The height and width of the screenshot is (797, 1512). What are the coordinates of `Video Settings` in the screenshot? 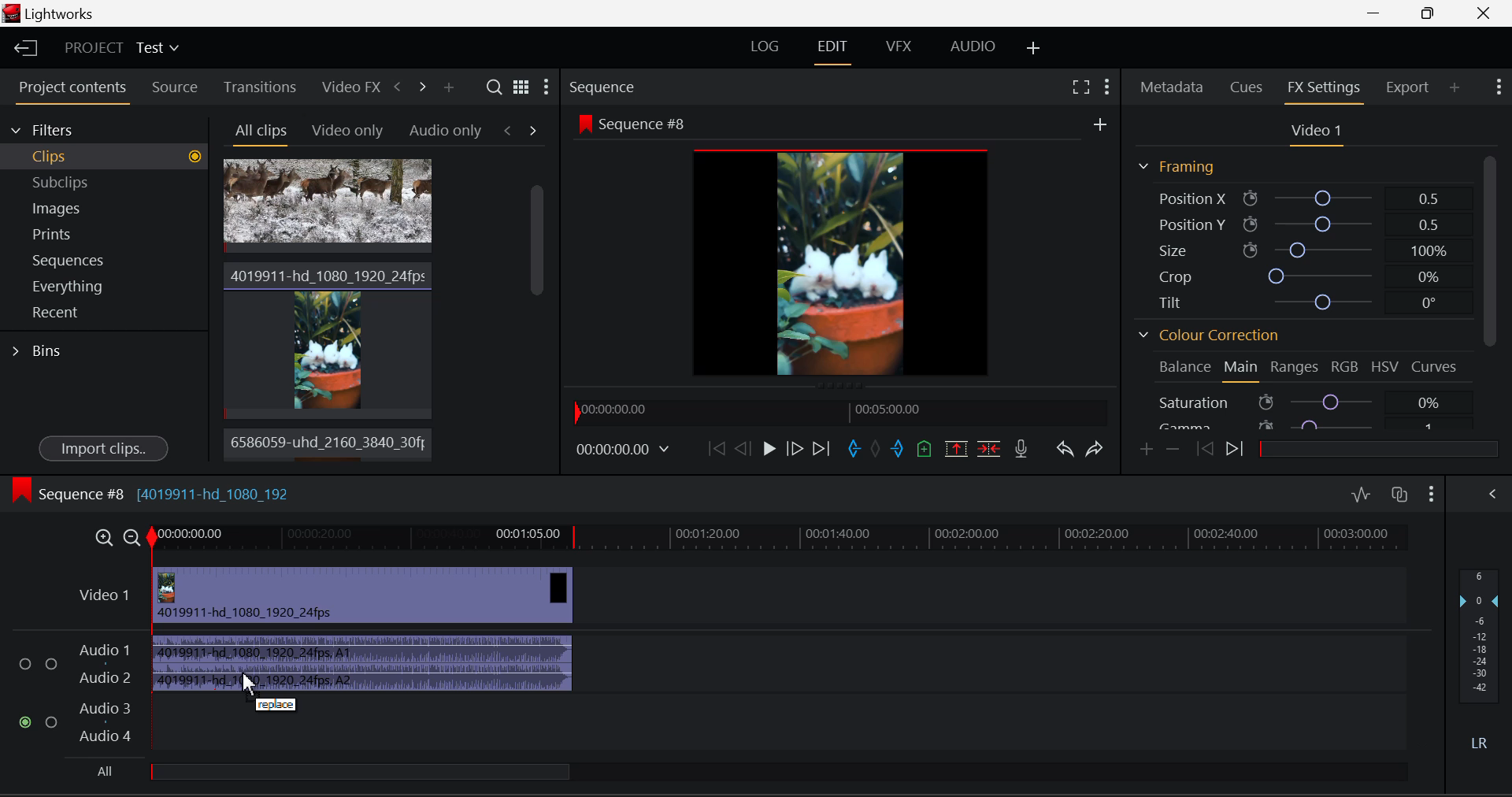 It's located at (1314, 130).